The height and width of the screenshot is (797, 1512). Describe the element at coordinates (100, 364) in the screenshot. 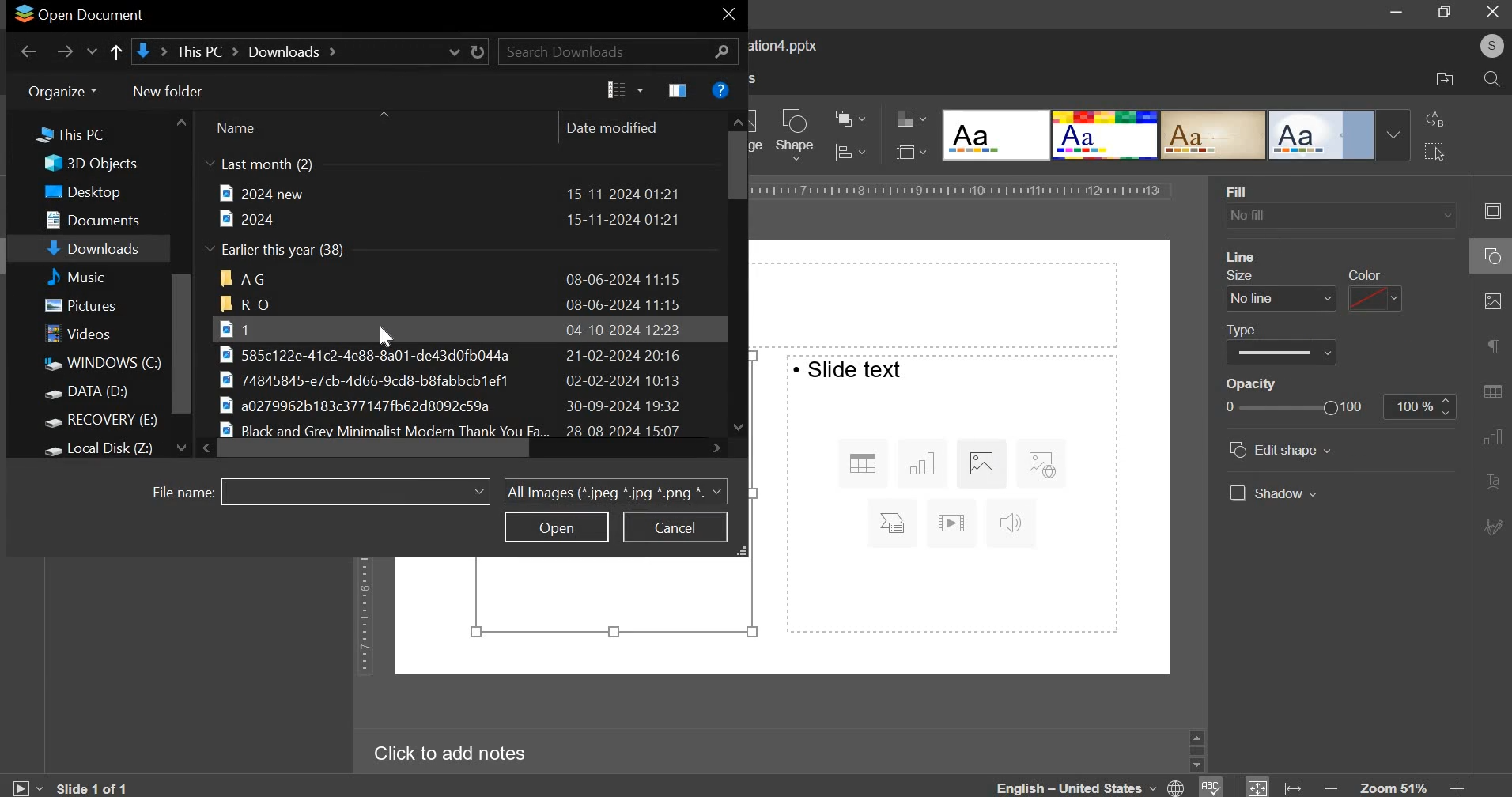

I see `c drive` at that location.